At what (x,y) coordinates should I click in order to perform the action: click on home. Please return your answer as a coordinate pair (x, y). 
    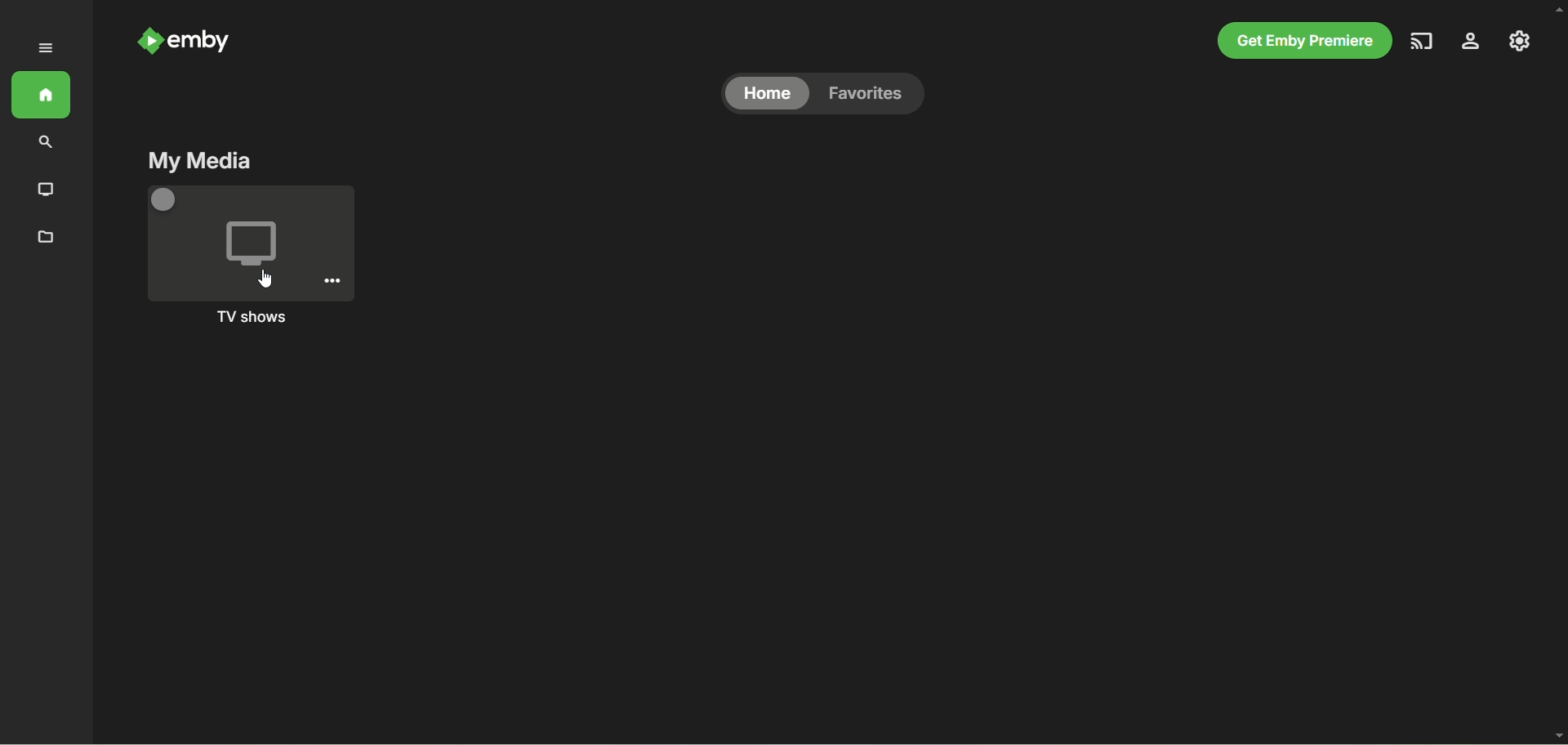
    Looking at the image, I should click on (766, 94).